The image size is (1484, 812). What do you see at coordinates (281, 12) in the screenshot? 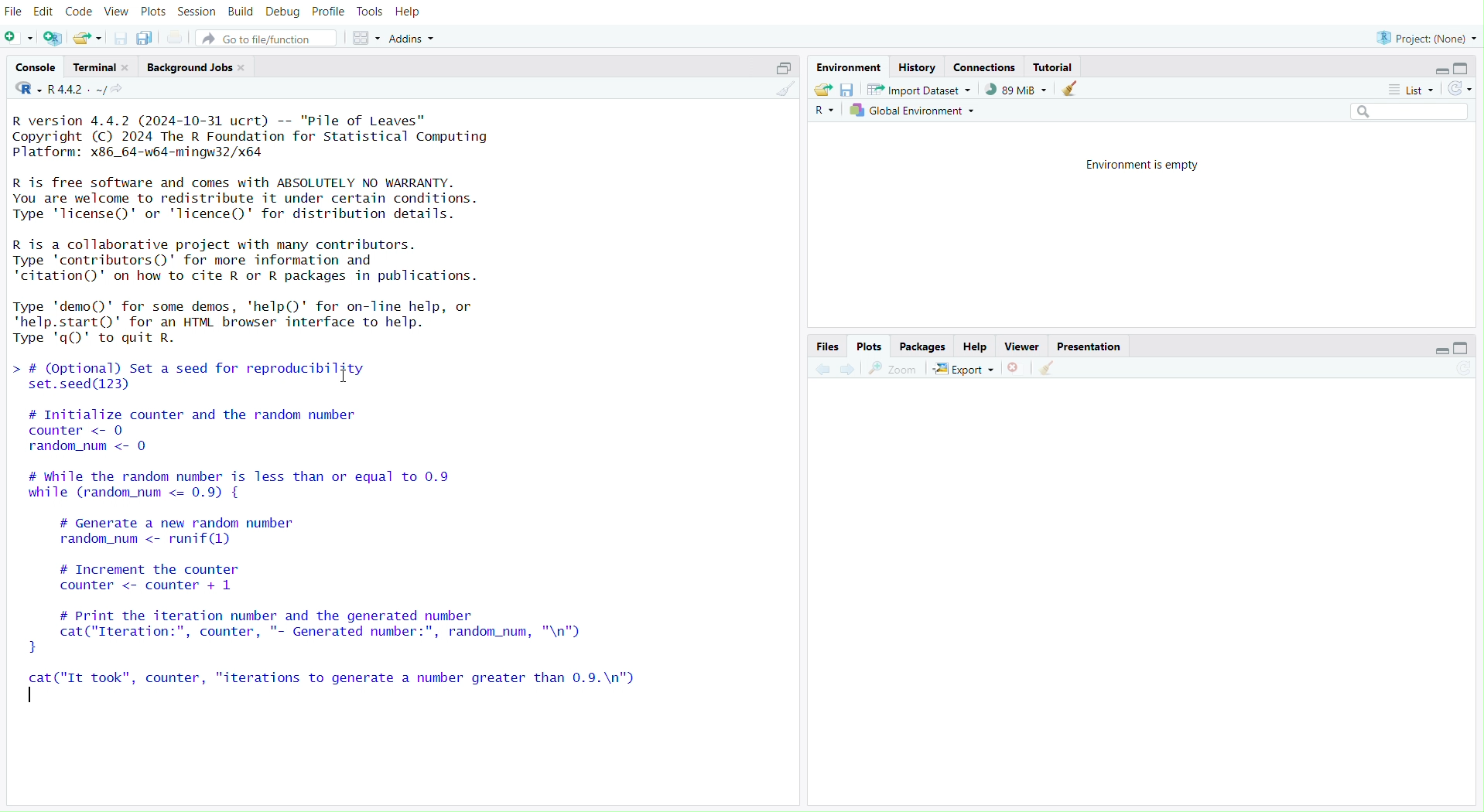
I see `Debug` at bounding box center [281, 12].